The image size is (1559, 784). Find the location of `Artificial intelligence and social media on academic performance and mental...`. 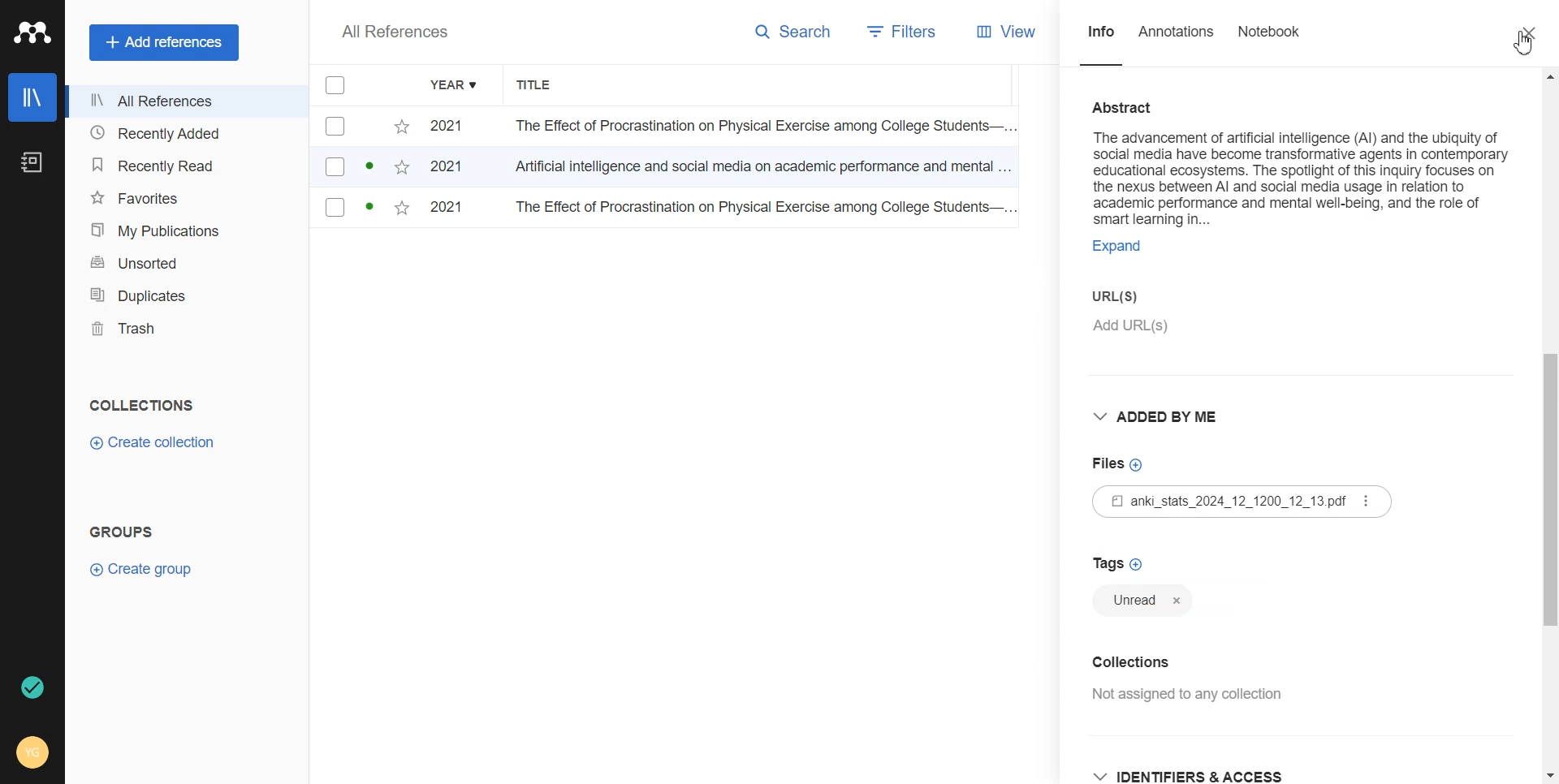

Artificial intelligence and social media on academic performance and mental... is located at coordinates (763, 170).